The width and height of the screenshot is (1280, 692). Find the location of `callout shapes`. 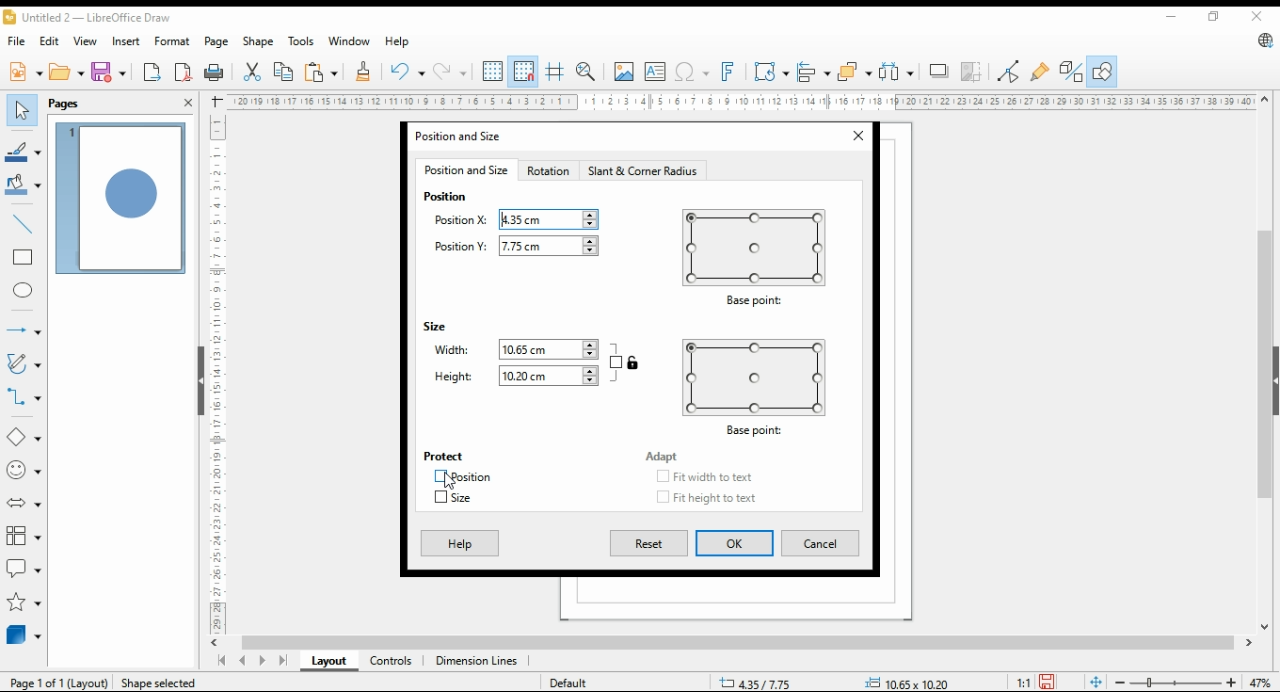

callout shapes is located at coordinates (21, 566).